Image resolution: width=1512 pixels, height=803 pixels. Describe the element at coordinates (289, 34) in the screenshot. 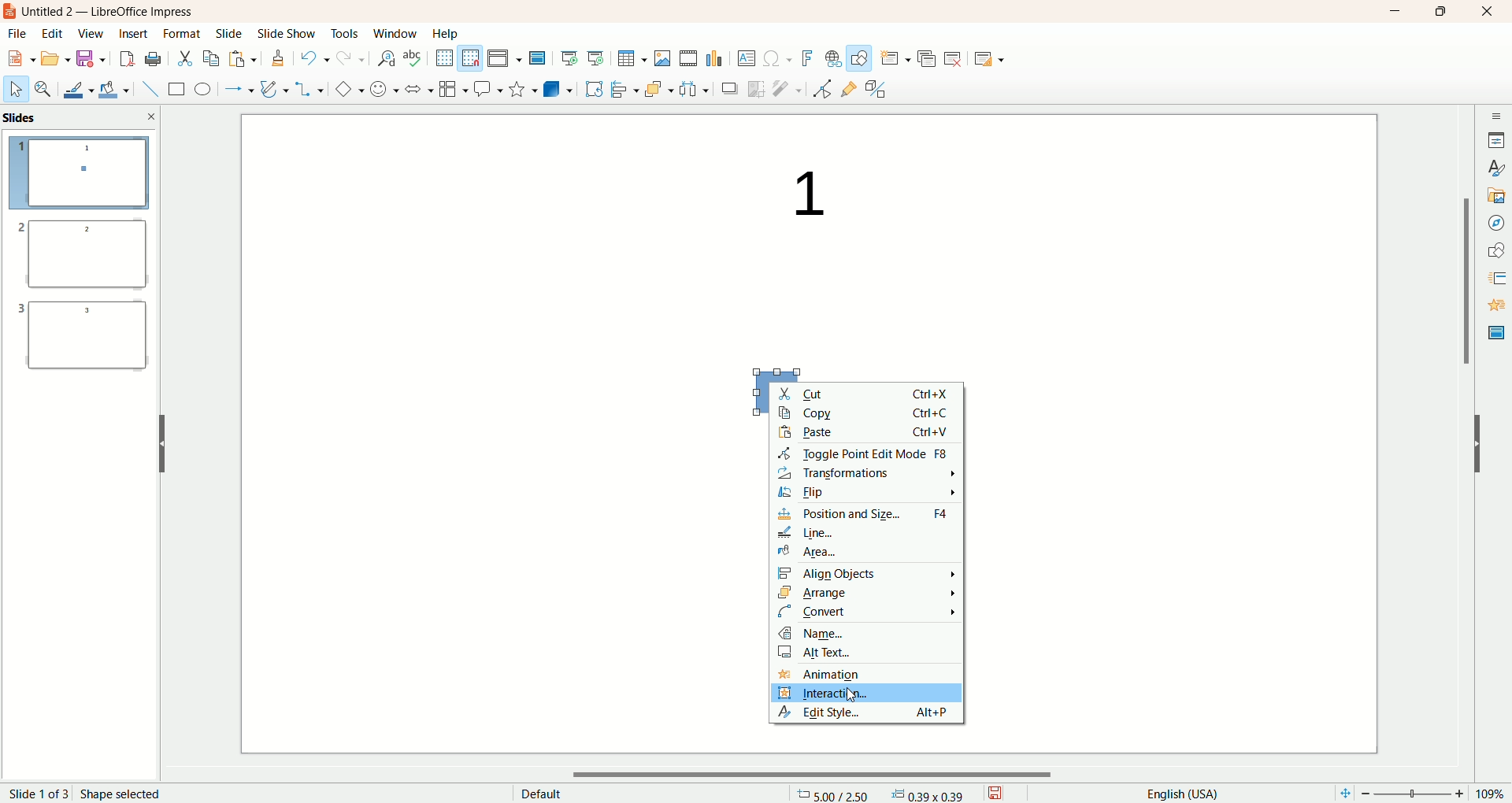

I see `slide show` at that location.